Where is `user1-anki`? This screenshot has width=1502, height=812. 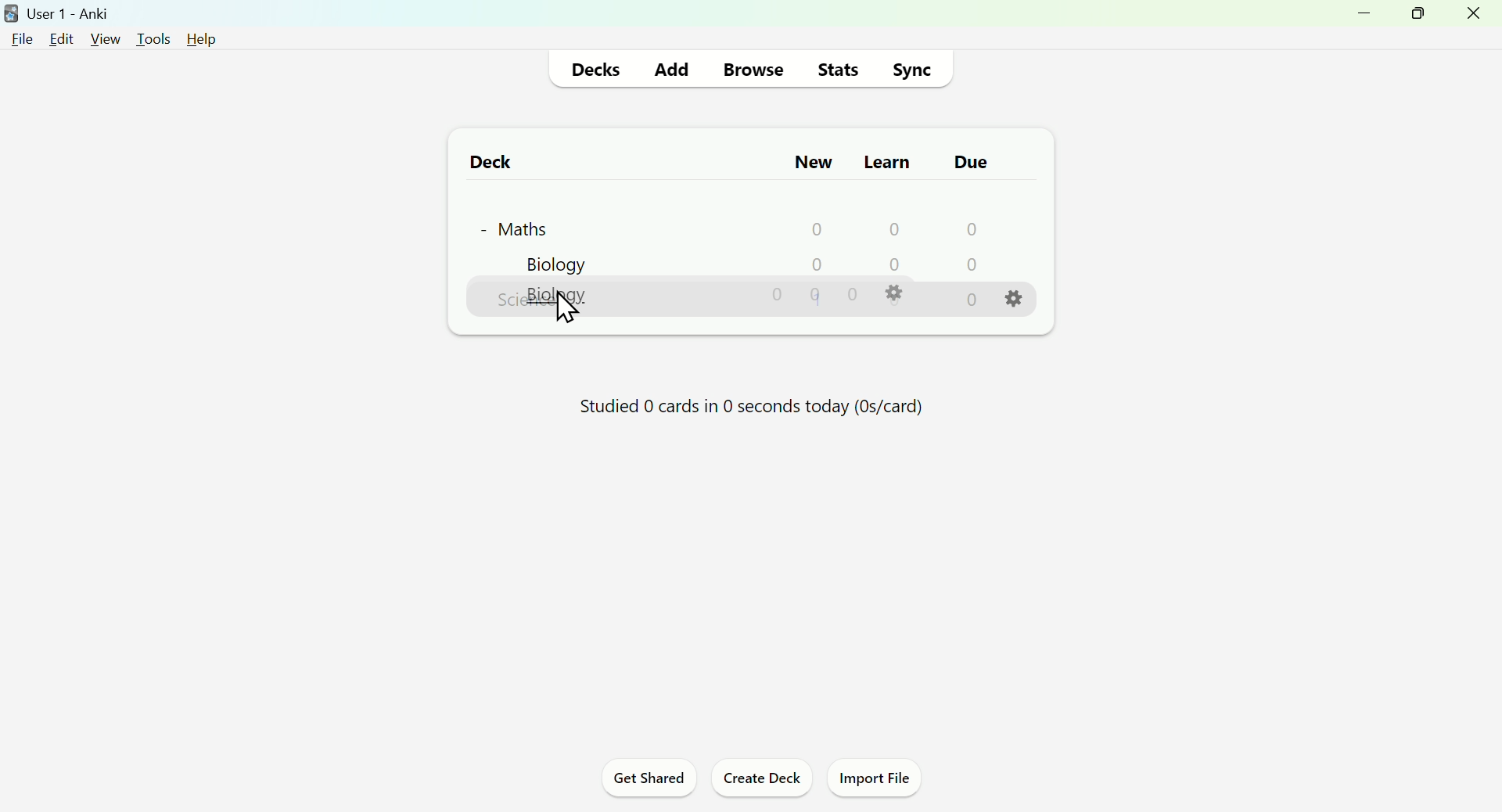
user1-anki is located at coordinates (58, 13).